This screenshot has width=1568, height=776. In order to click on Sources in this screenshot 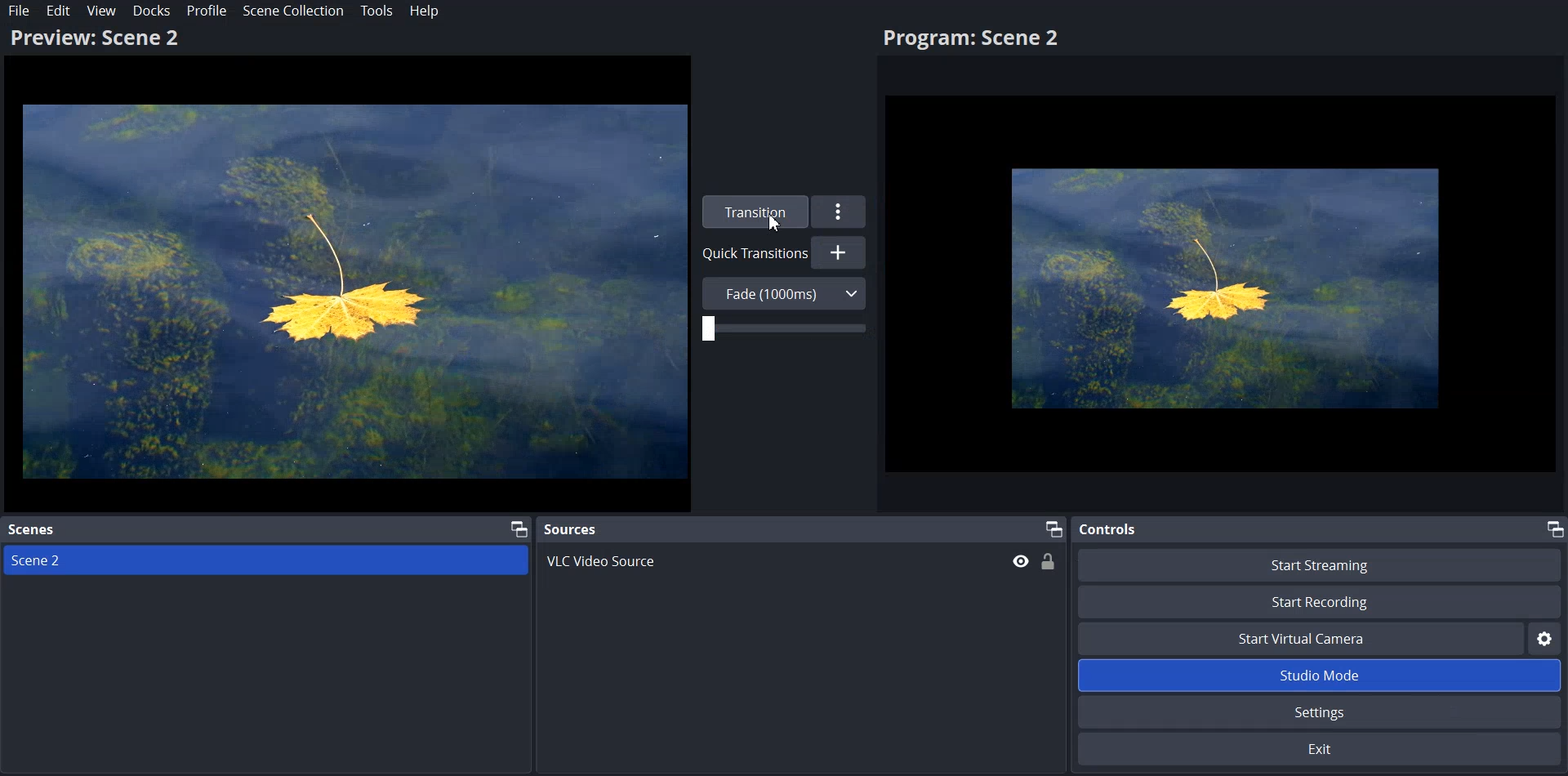, I will do `click(570, 528)`.